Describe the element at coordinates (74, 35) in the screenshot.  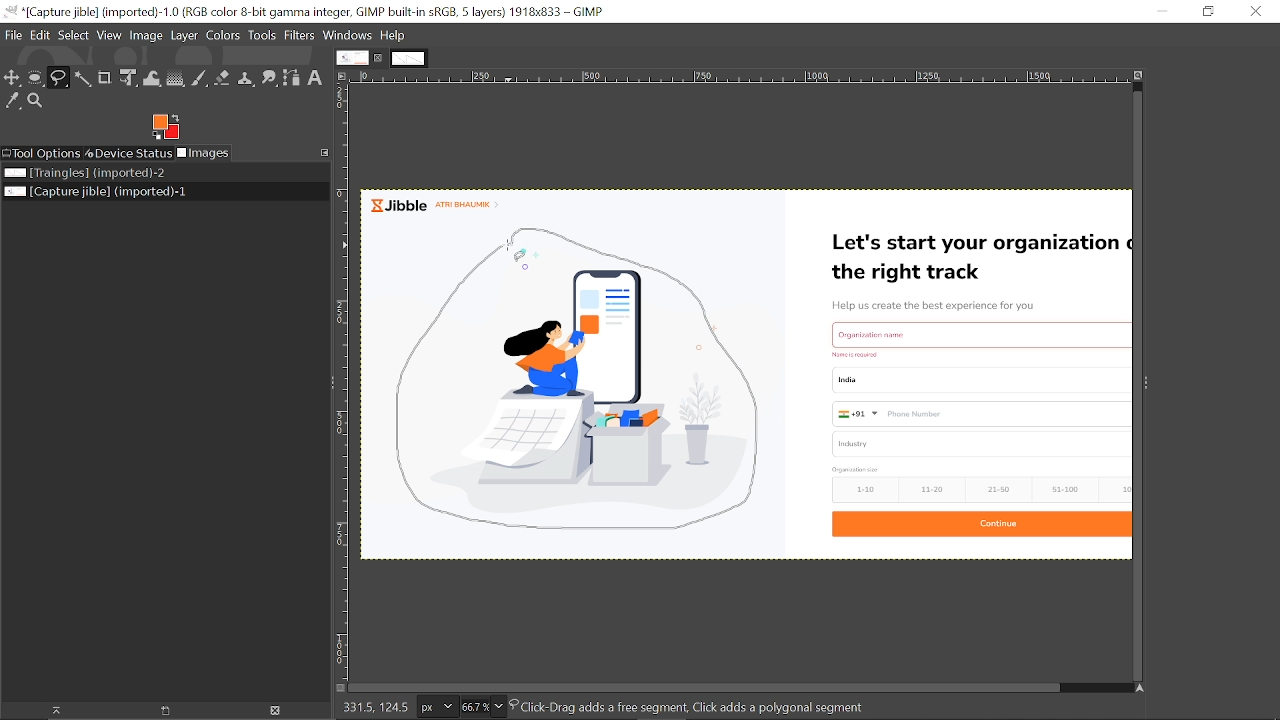
I see `Select` at that location.